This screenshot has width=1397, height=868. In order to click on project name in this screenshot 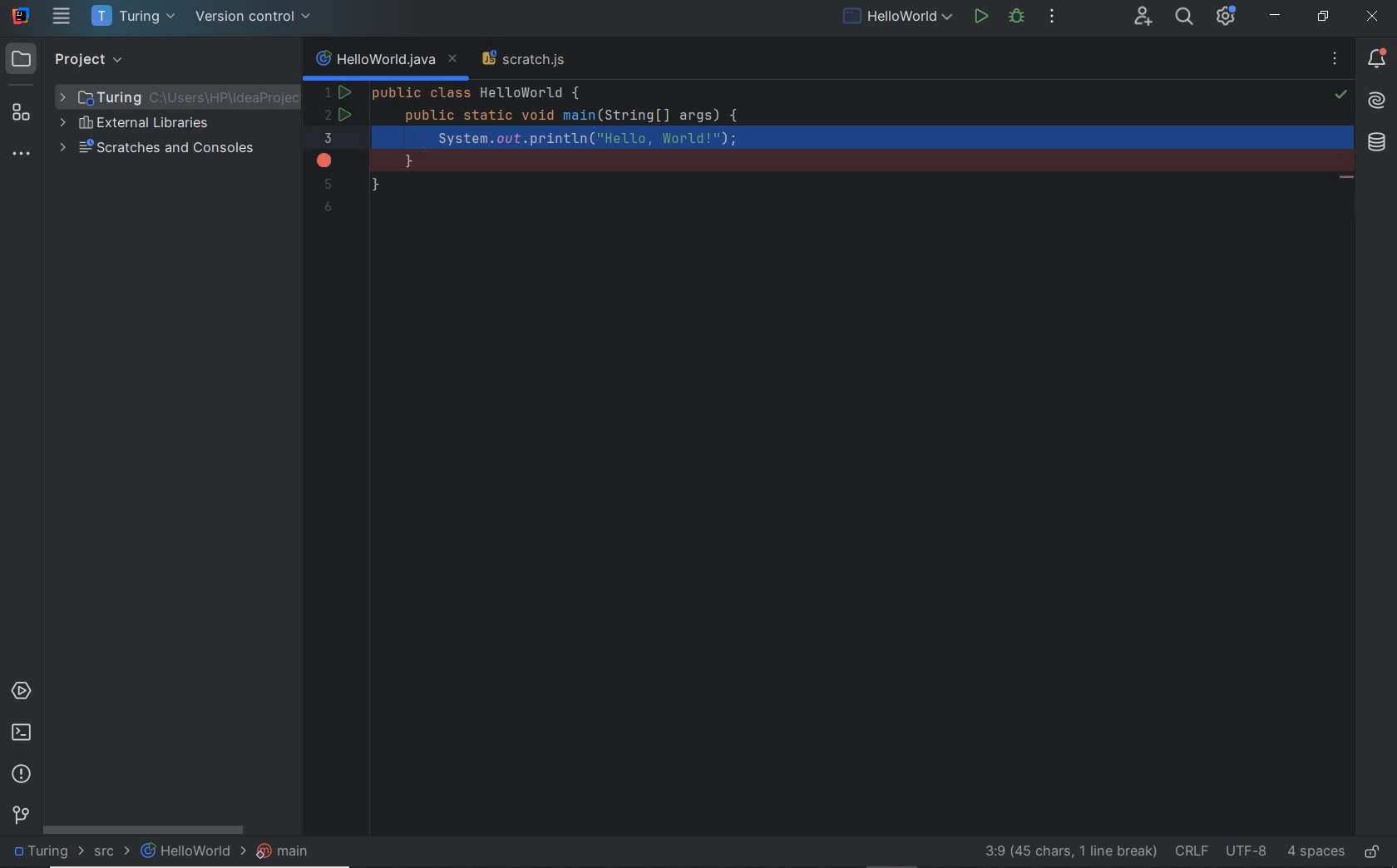, I will do `click(131, 17)`.